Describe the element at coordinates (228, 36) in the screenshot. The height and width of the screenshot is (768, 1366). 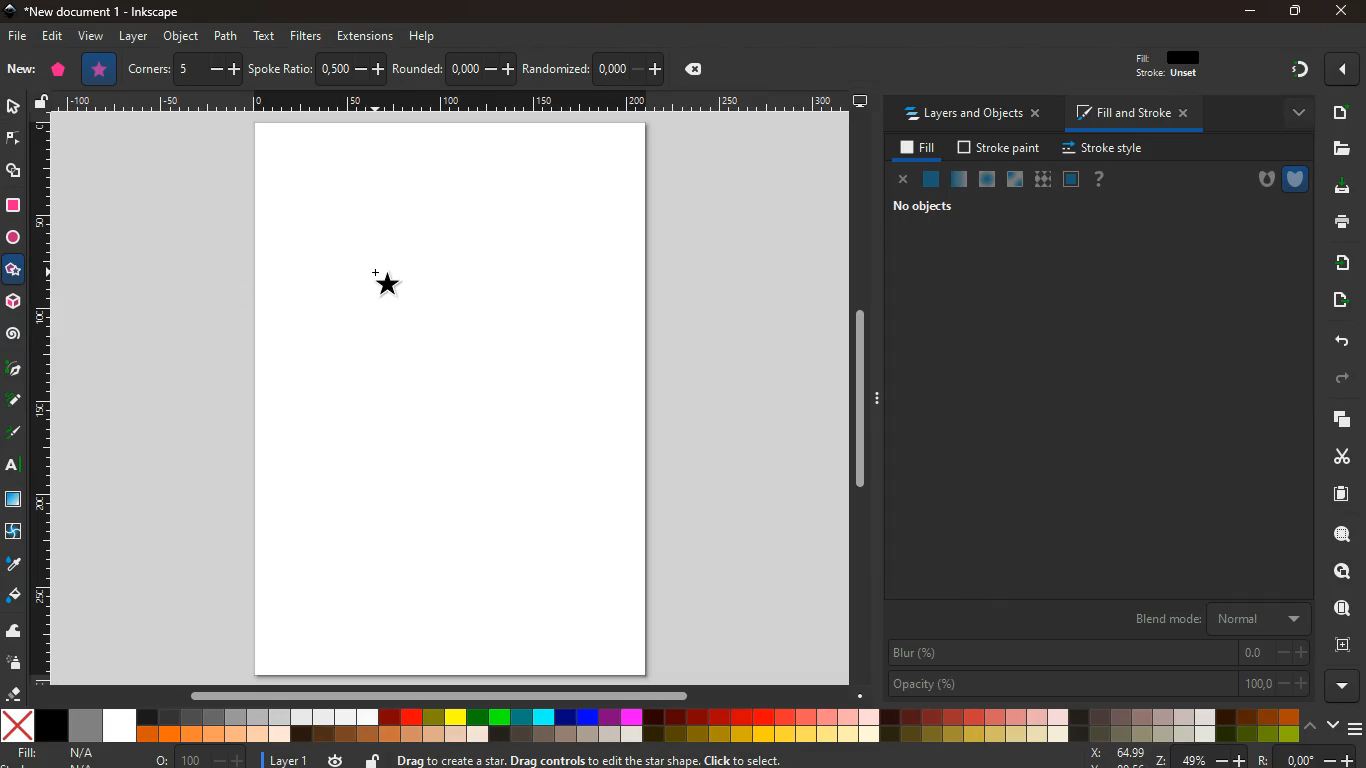
I see `path` at that location.